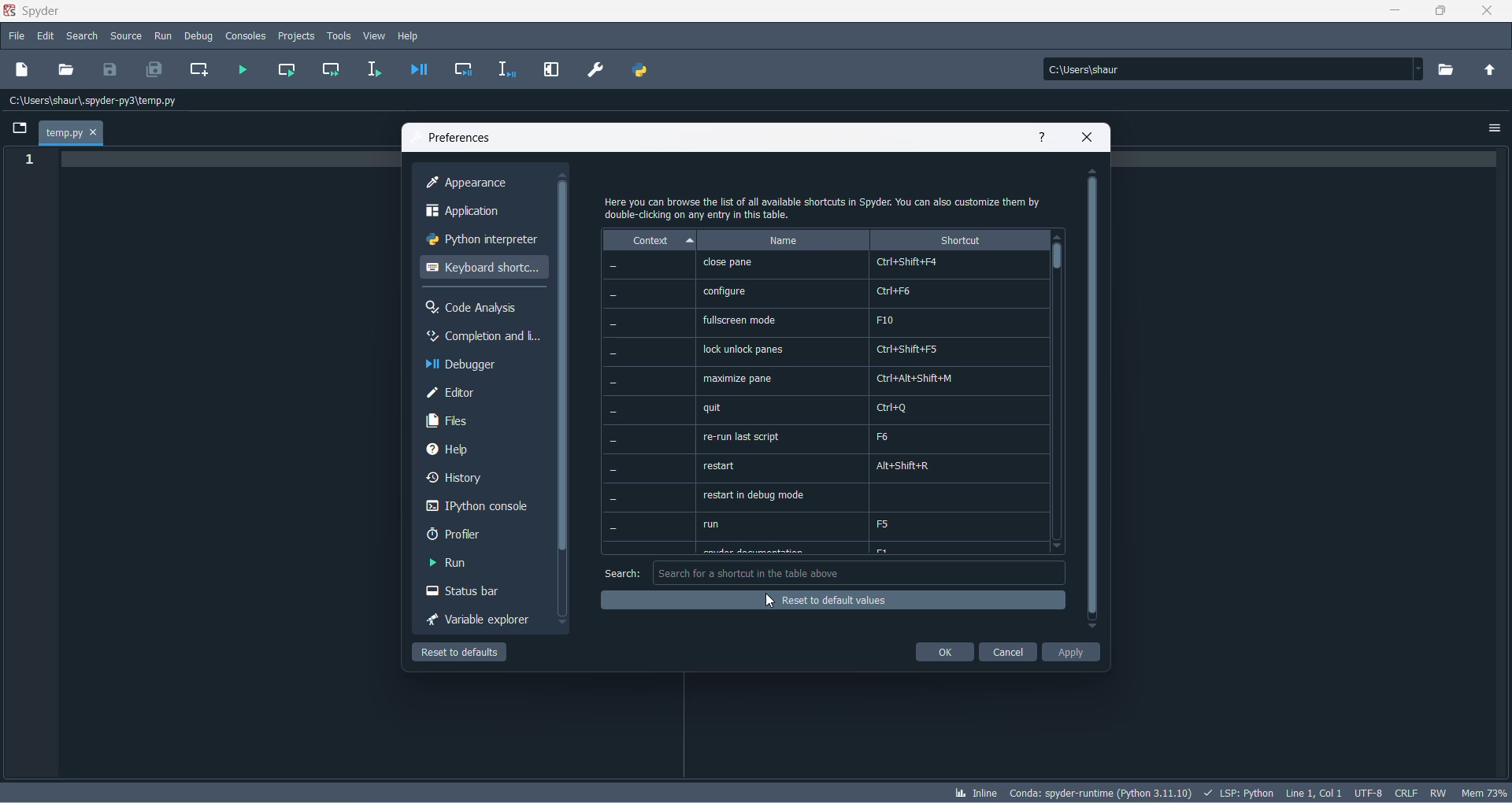 Image resolution: width=1512 pixels, height=803 pixels. Describe the element at coordinates (974, 792) in the screenshot. I see `inline` at that location.